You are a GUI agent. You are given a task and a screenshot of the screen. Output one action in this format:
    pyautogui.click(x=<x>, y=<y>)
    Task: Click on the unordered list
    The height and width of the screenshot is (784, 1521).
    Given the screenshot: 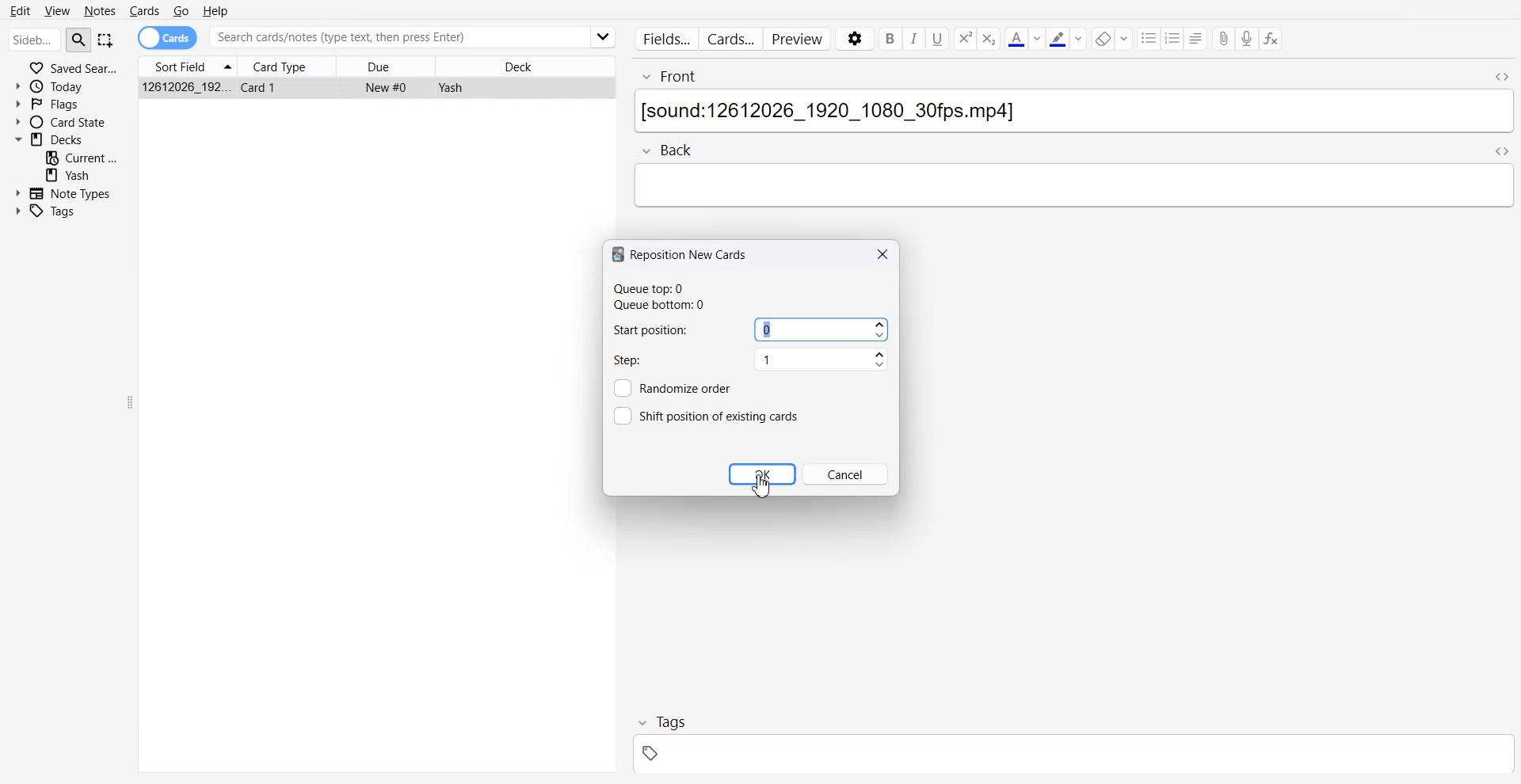 What is the action you would take?
    pyautogui.click(x=1149, y=38)
    